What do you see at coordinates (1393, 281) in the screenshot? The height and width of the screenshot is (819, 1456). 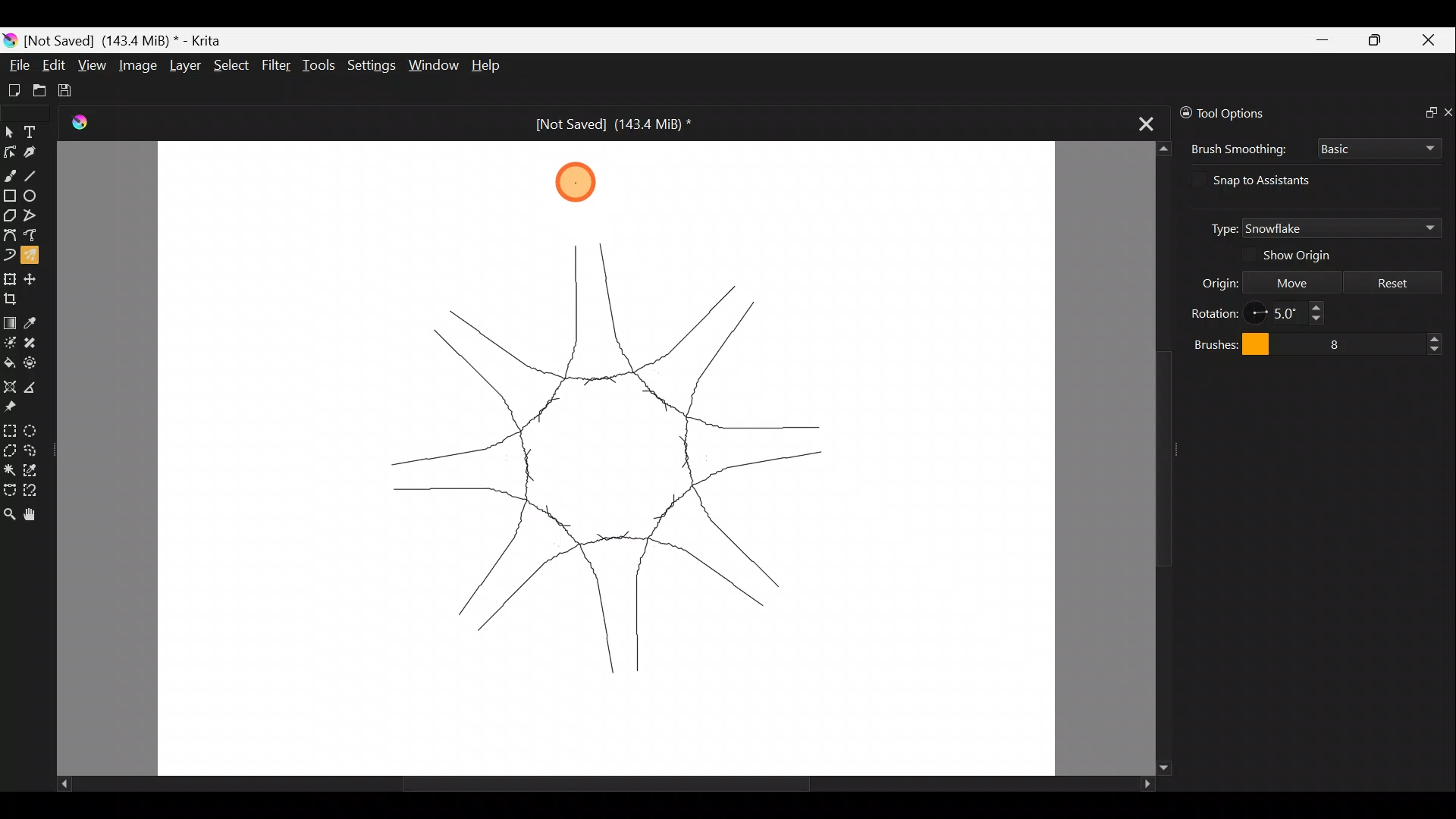 I see `Reset` at bounding box center [1393, 281].